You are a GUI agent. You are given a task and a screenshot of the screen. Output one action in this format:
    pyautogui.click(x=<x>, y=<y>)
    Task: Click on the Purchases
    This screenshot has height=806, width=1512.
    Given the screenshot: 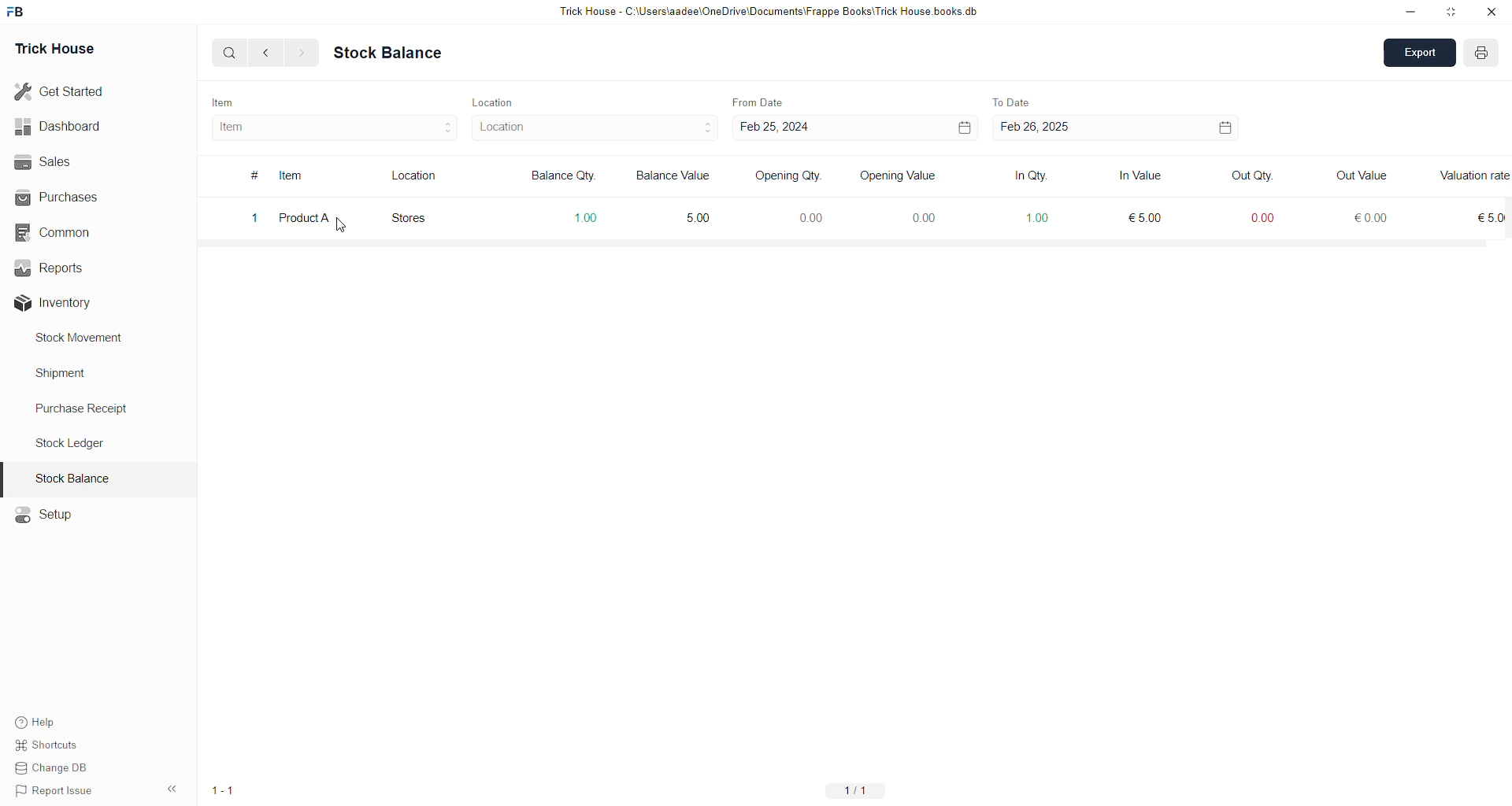 What is the action you would take?
    pyautogui.click(x=72, y=195)
    